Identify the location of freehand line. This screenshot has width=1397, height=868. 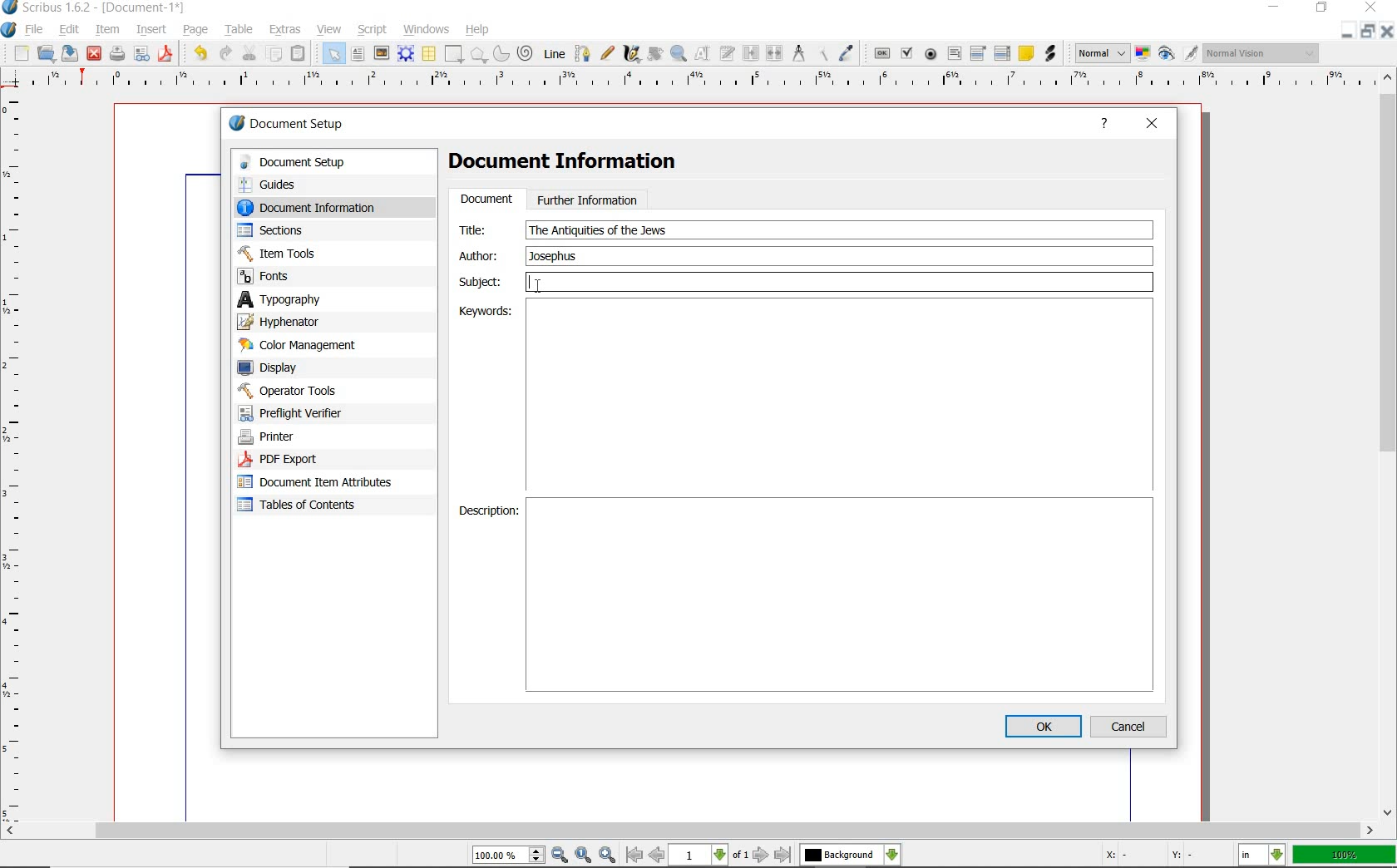
(606, 52).